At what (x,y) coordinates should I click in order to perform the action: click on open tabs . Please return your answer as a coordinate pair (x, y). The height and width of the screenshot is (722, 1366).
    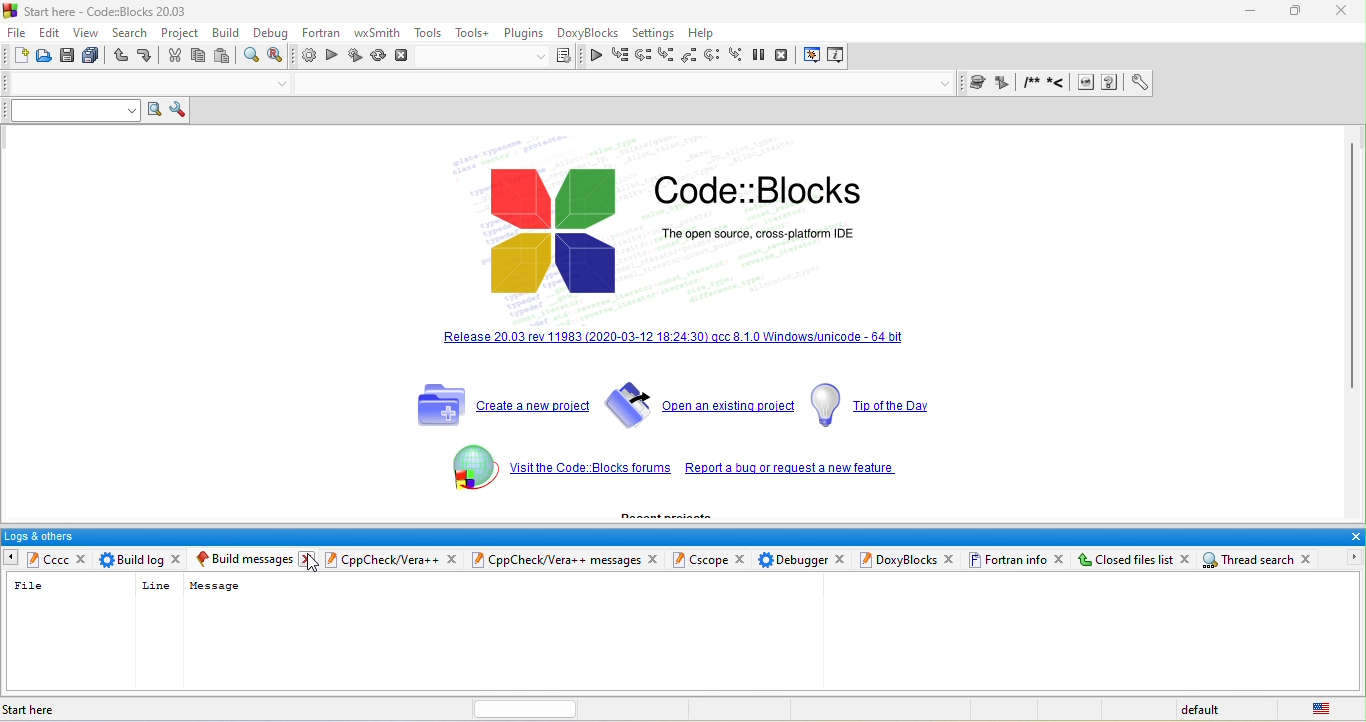
    Looking at the image, I should click on (616, 85).